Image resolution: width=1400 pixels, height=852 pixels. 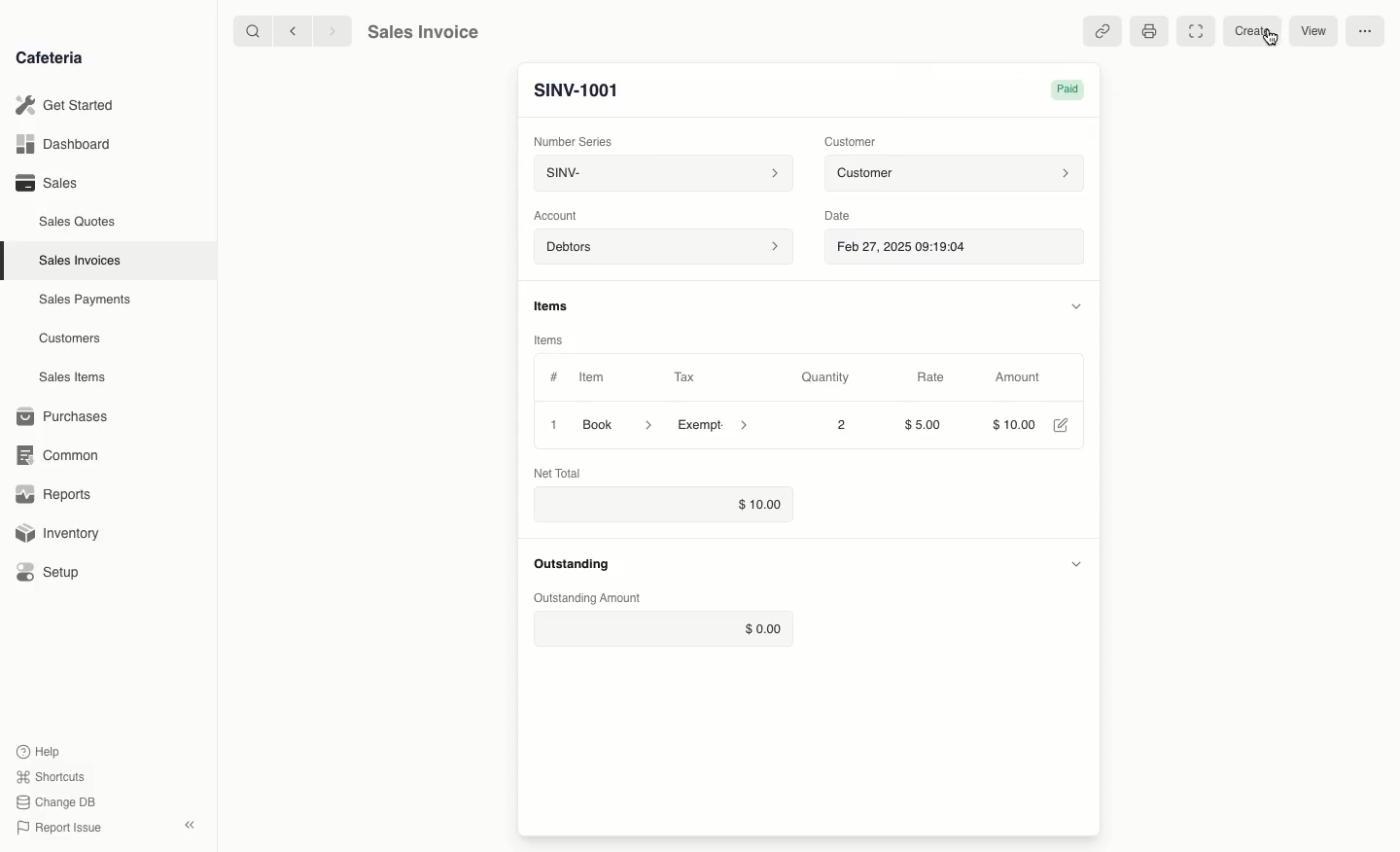 I want to click on search, so click(x=250, y=30).